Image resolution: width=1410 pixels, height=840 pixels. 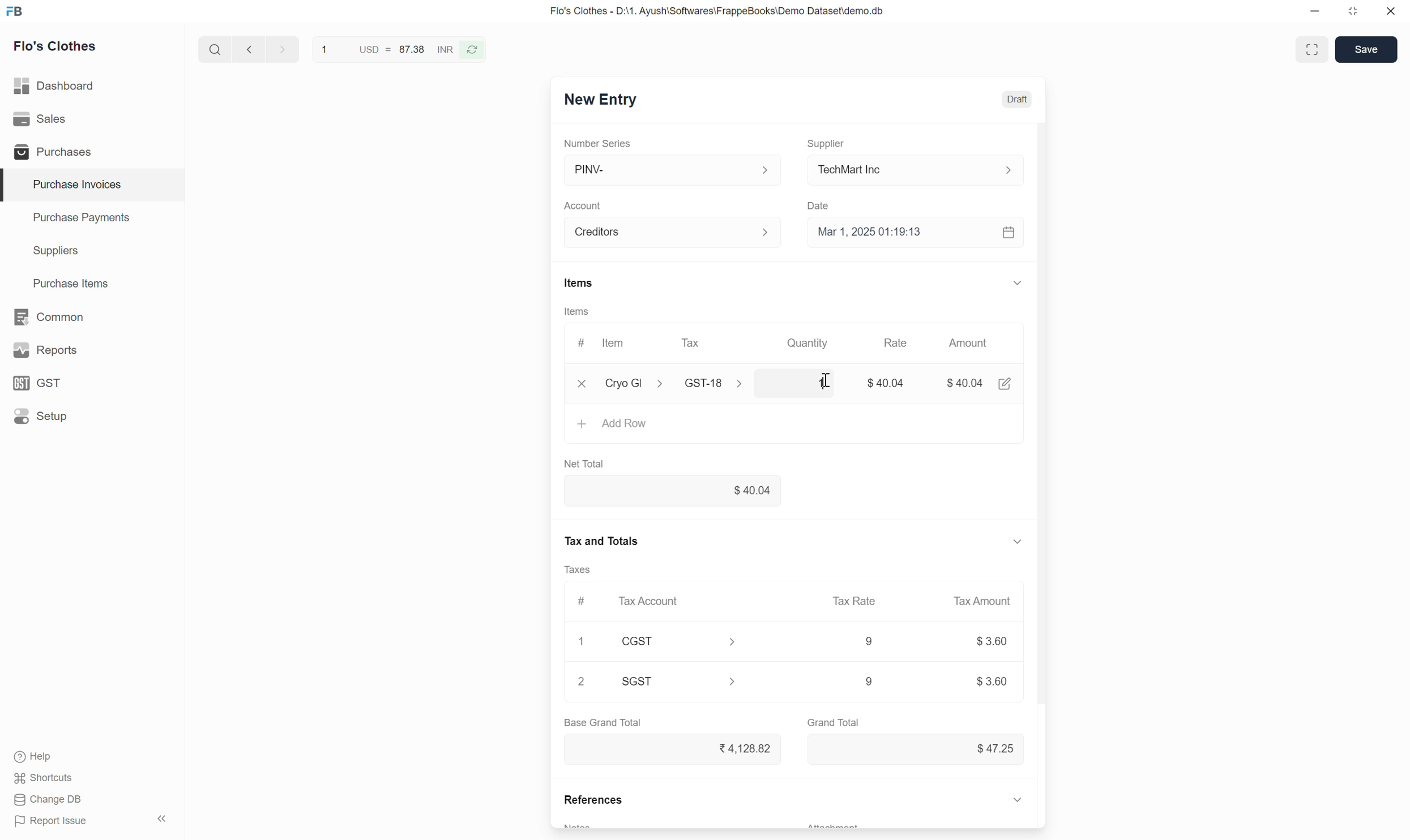 What do you see at coordinates (576, 311) in the screenshot?
I see `Items` at bounding box center [576, 311].